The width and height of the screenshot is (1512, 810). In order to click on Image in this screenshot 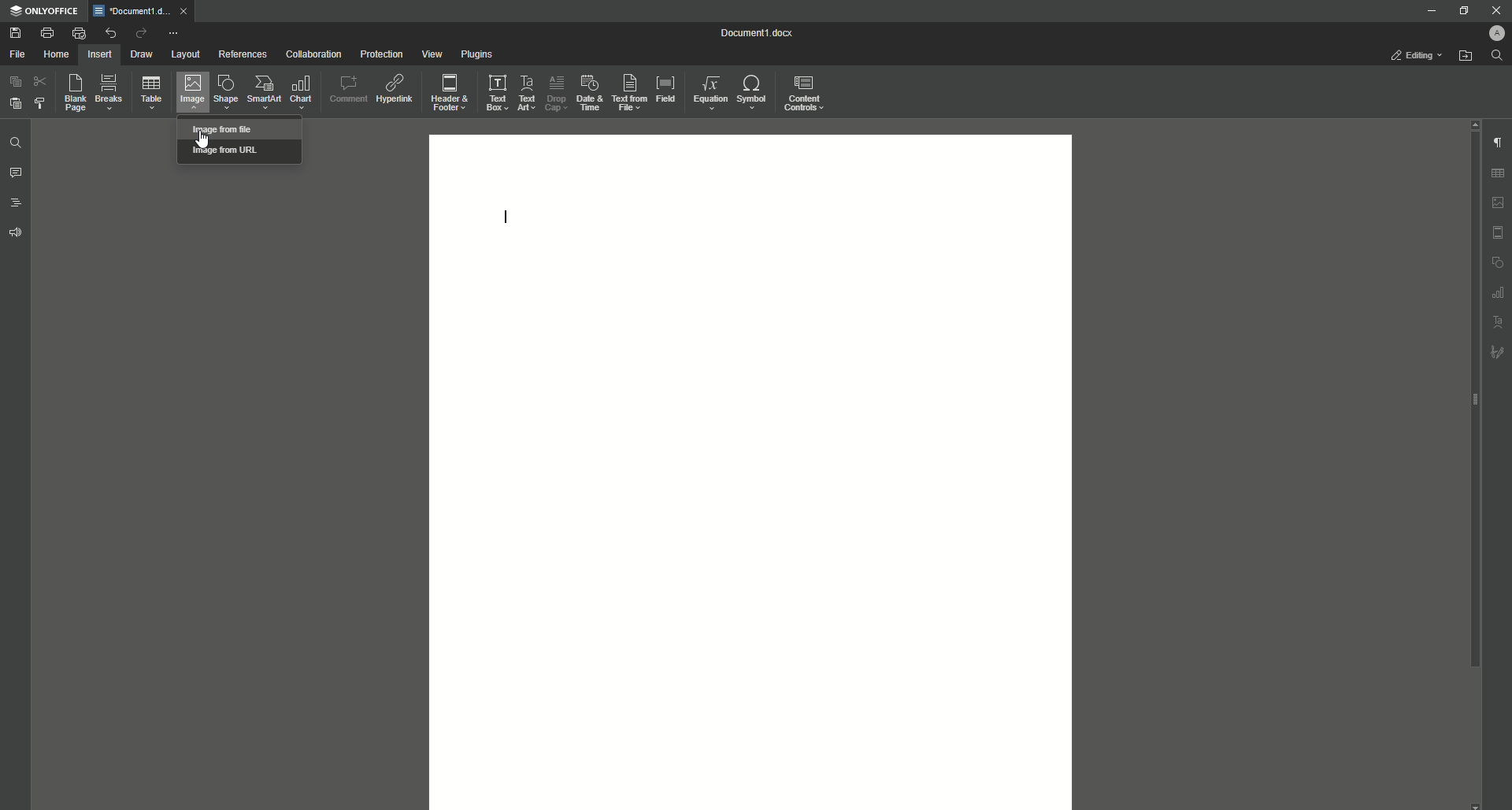, I will do `click(193, 94)`.